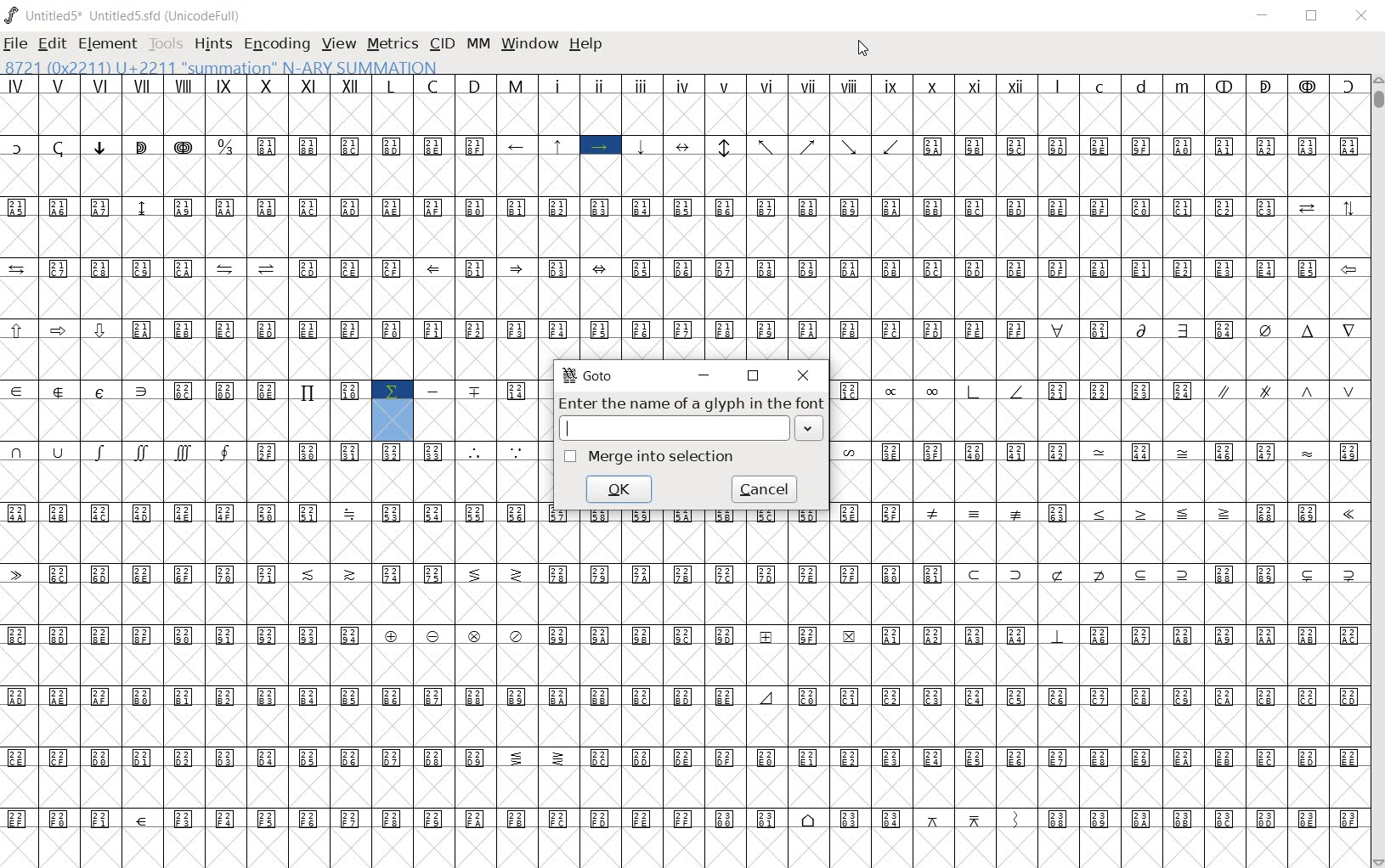  Describe the element at coordinates (187, 421) in the screenshot. I see `empty cells` at that location.